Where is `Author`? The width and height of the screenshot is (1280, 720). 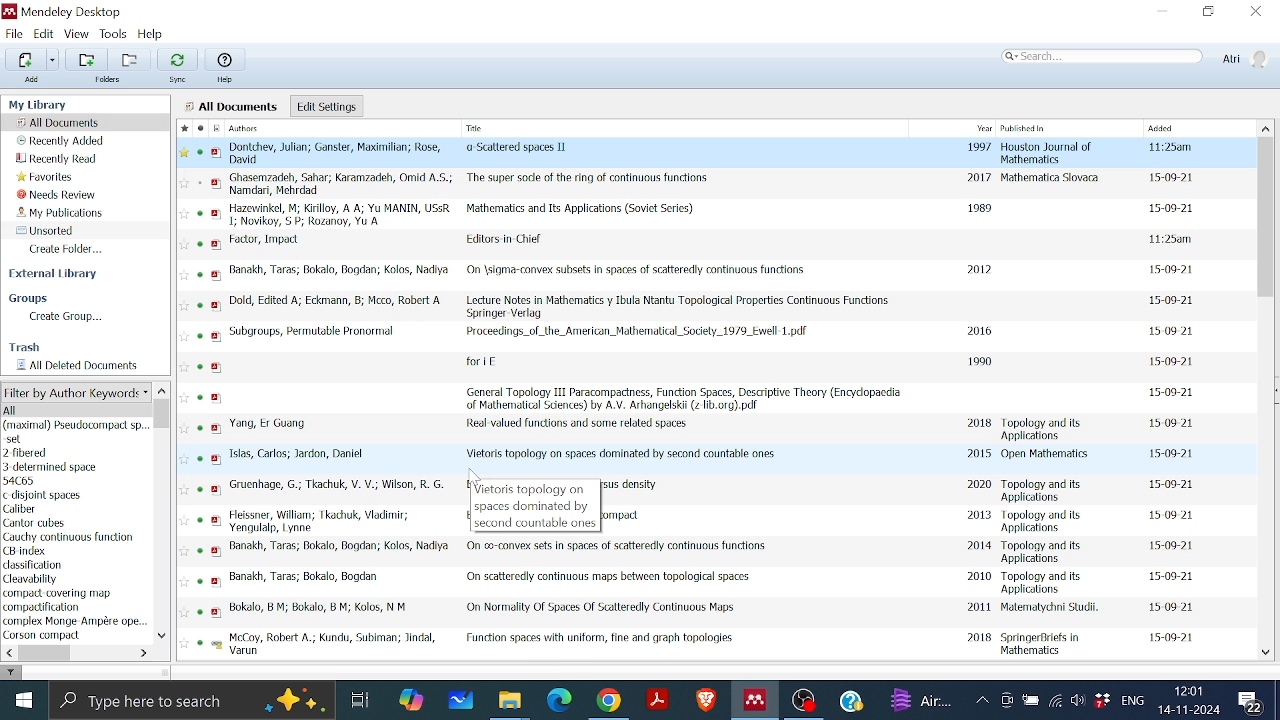 Author is located at coordinates (328, 521).